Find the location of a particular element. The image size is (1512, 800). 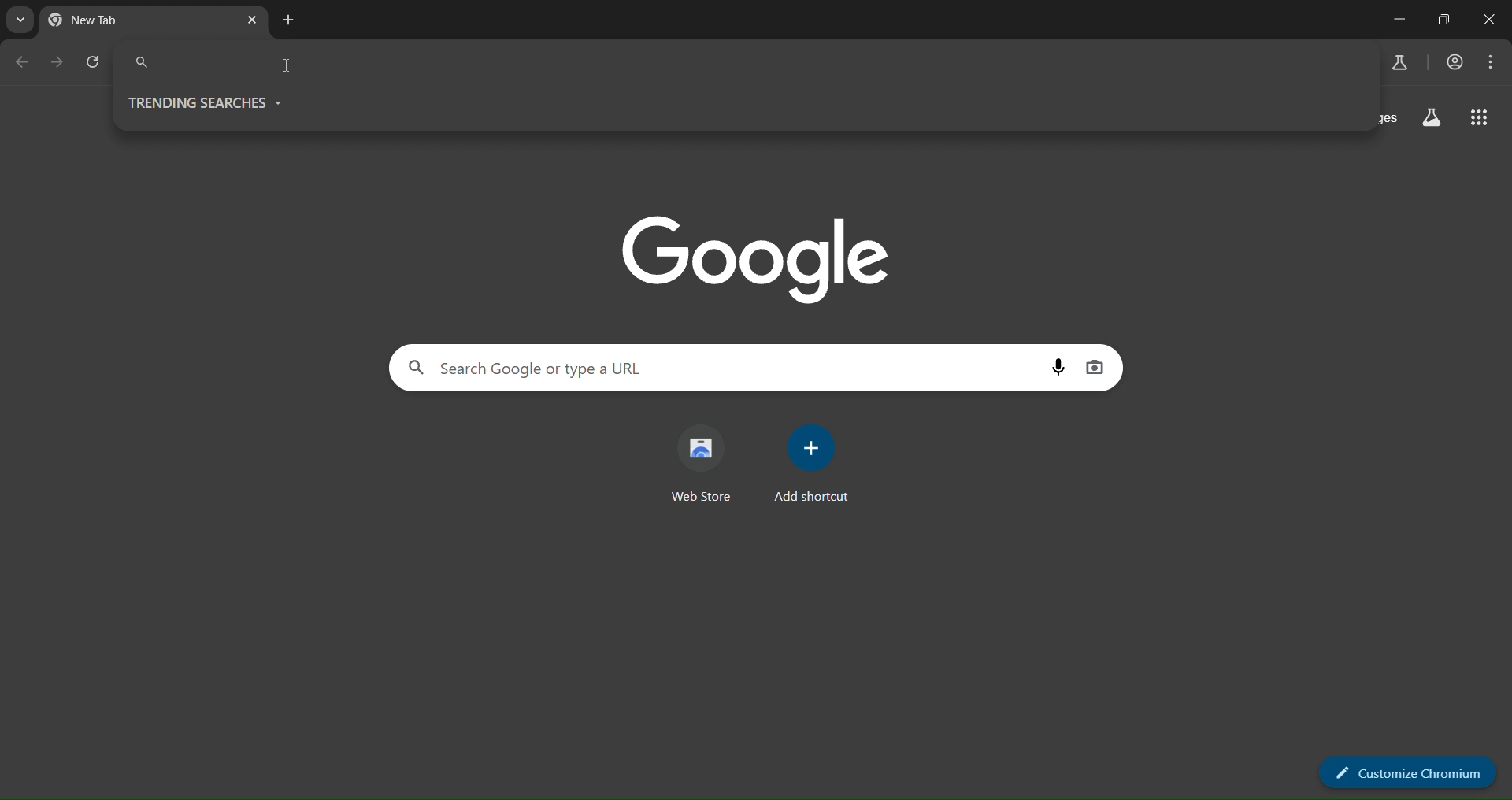

TRNDING SEARCHES is located at coordinates (212, 104).